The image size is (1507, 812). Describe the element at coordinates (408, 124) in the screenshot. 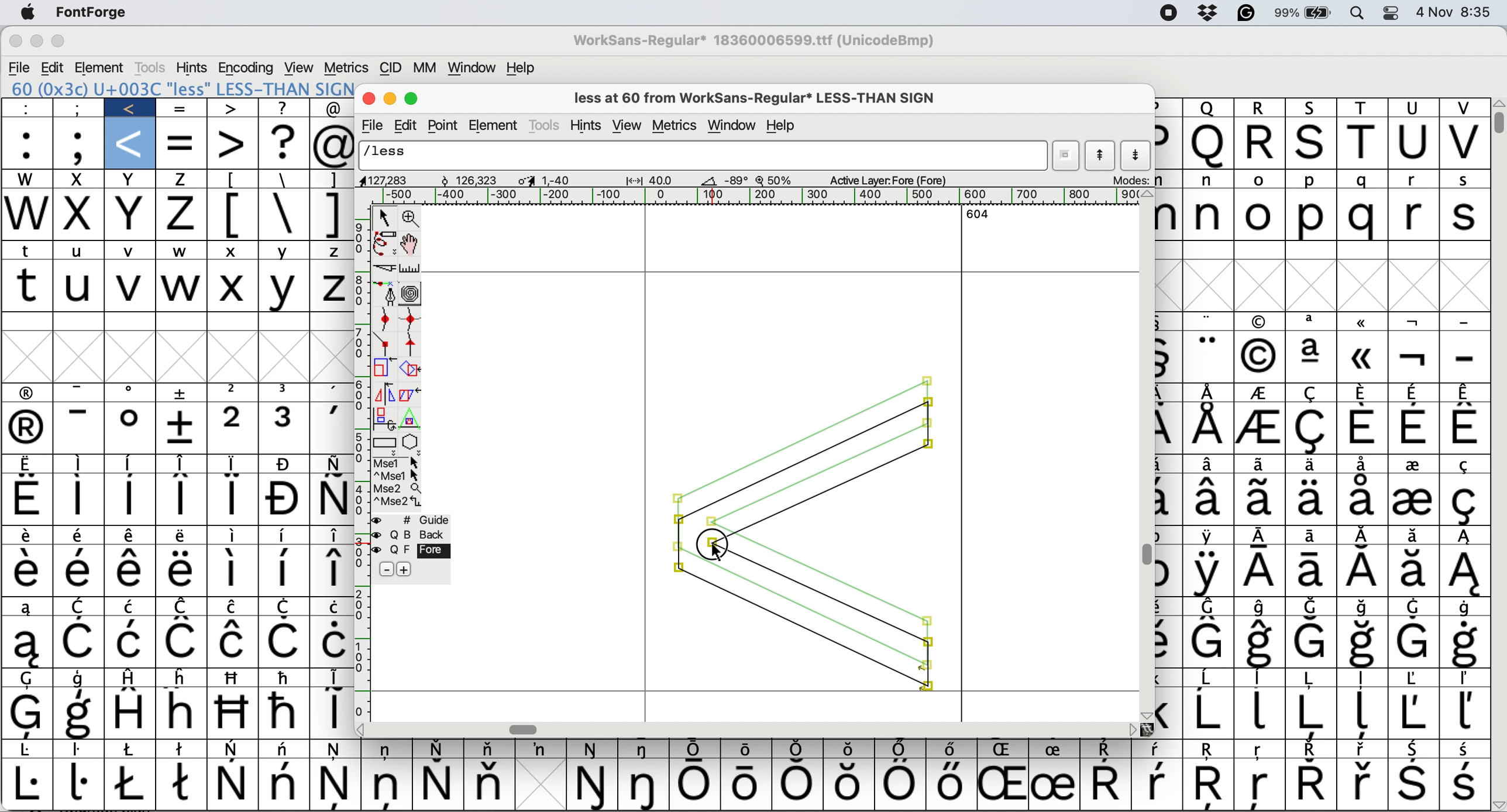

I see `edit` at that location.